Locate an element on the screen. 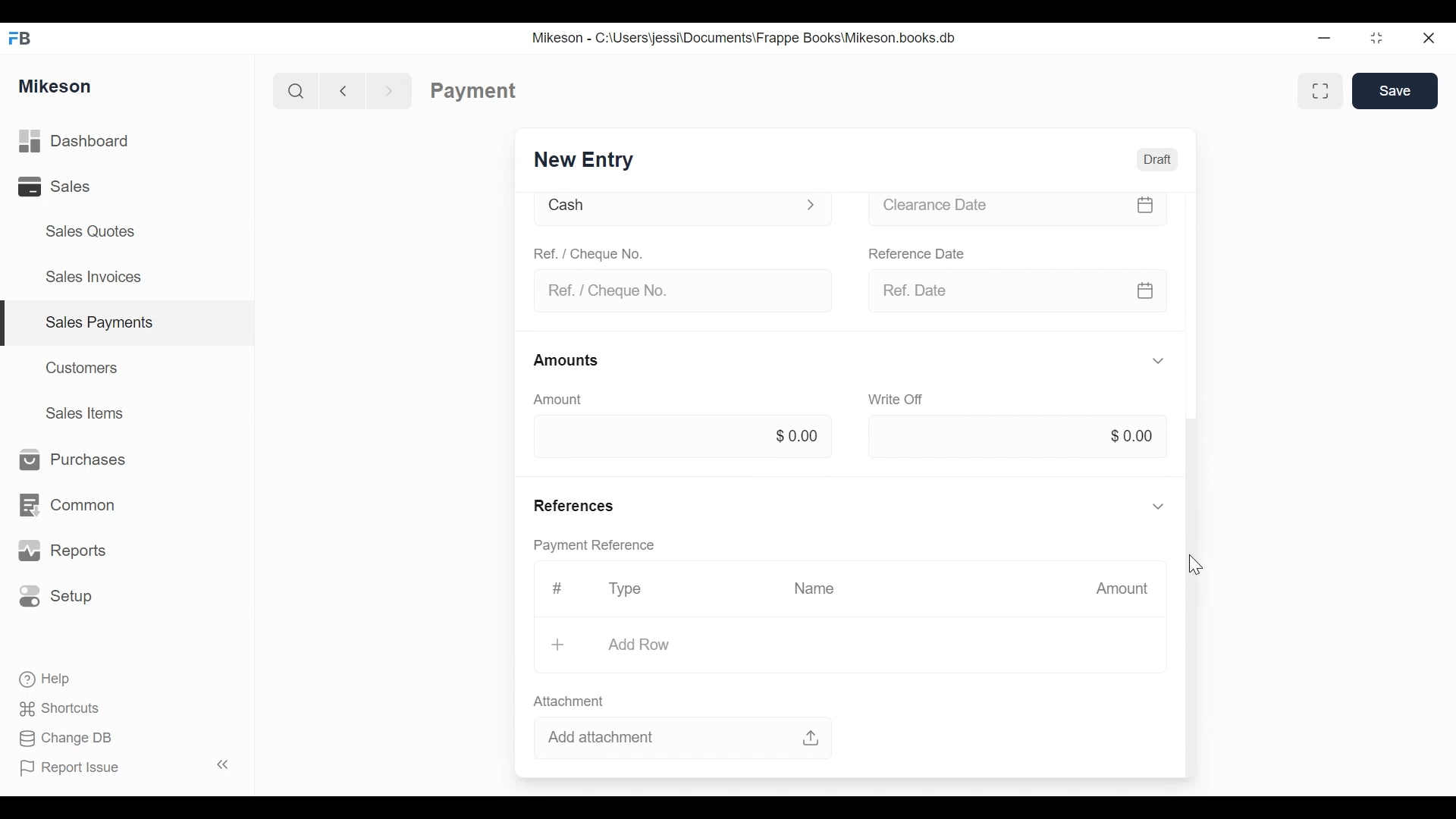 This screenshot has width=1456, height=819. Sales Items is located at coordinates (92, 414).